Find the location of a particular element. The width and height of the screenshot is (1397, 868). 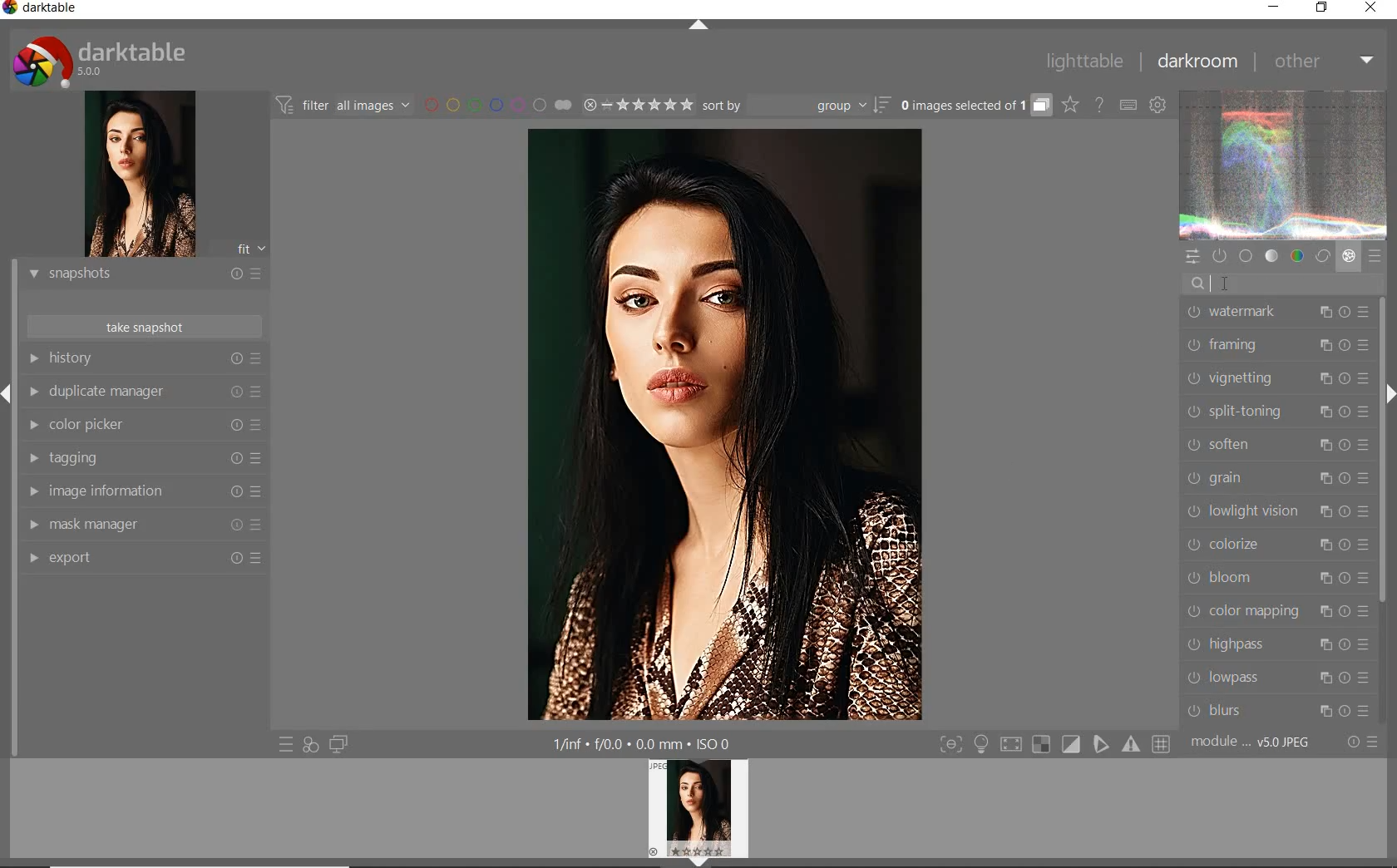

SPLIT-TONING is located at coordinates (1276, 410).